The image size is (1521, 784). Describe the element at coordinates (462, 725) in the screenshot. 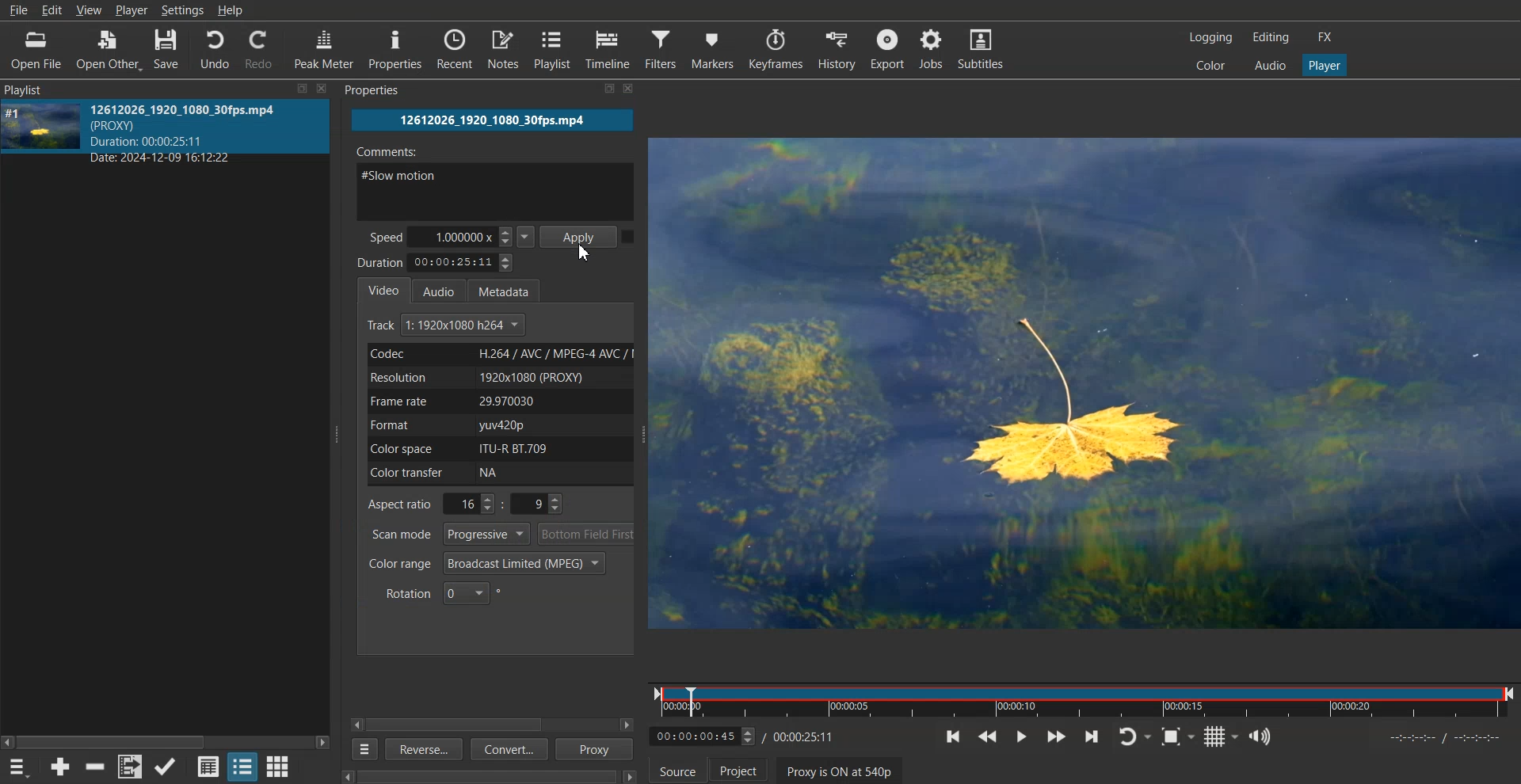

I see `Horizontal Scroll bar` at that location.